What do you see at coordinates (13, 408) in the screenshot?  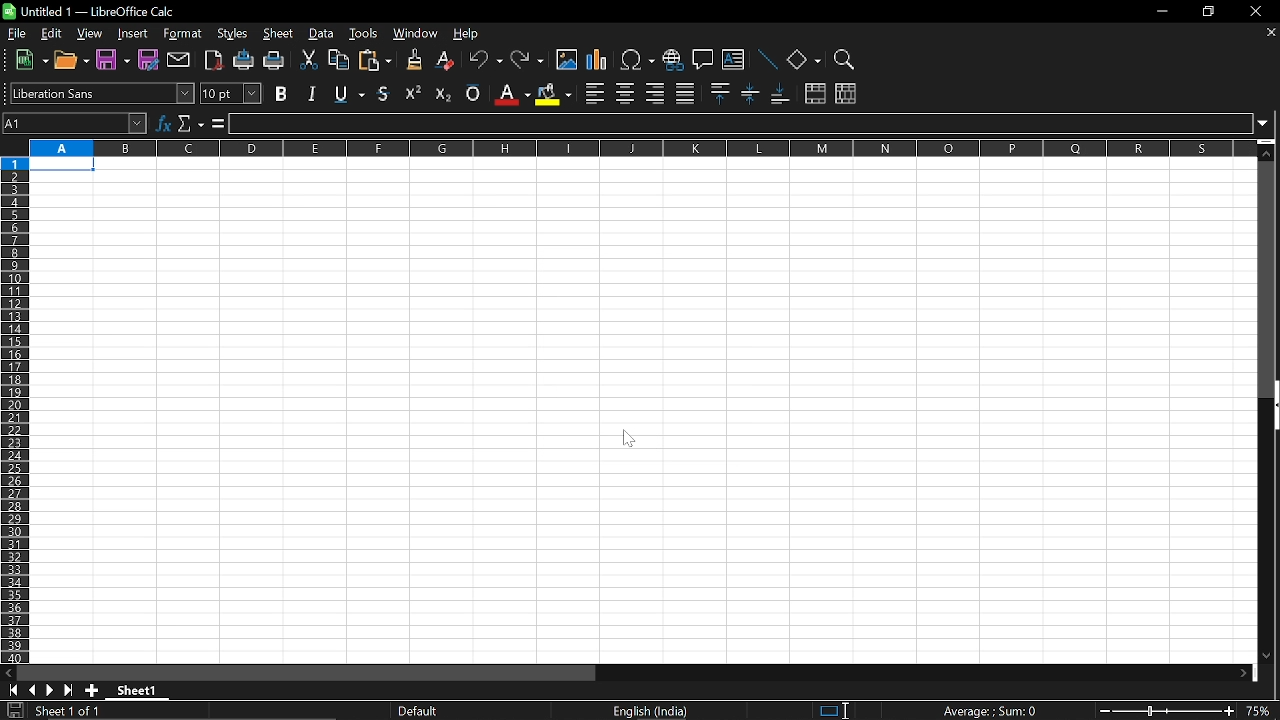 I see `rows` at bounding box center [13, 408].